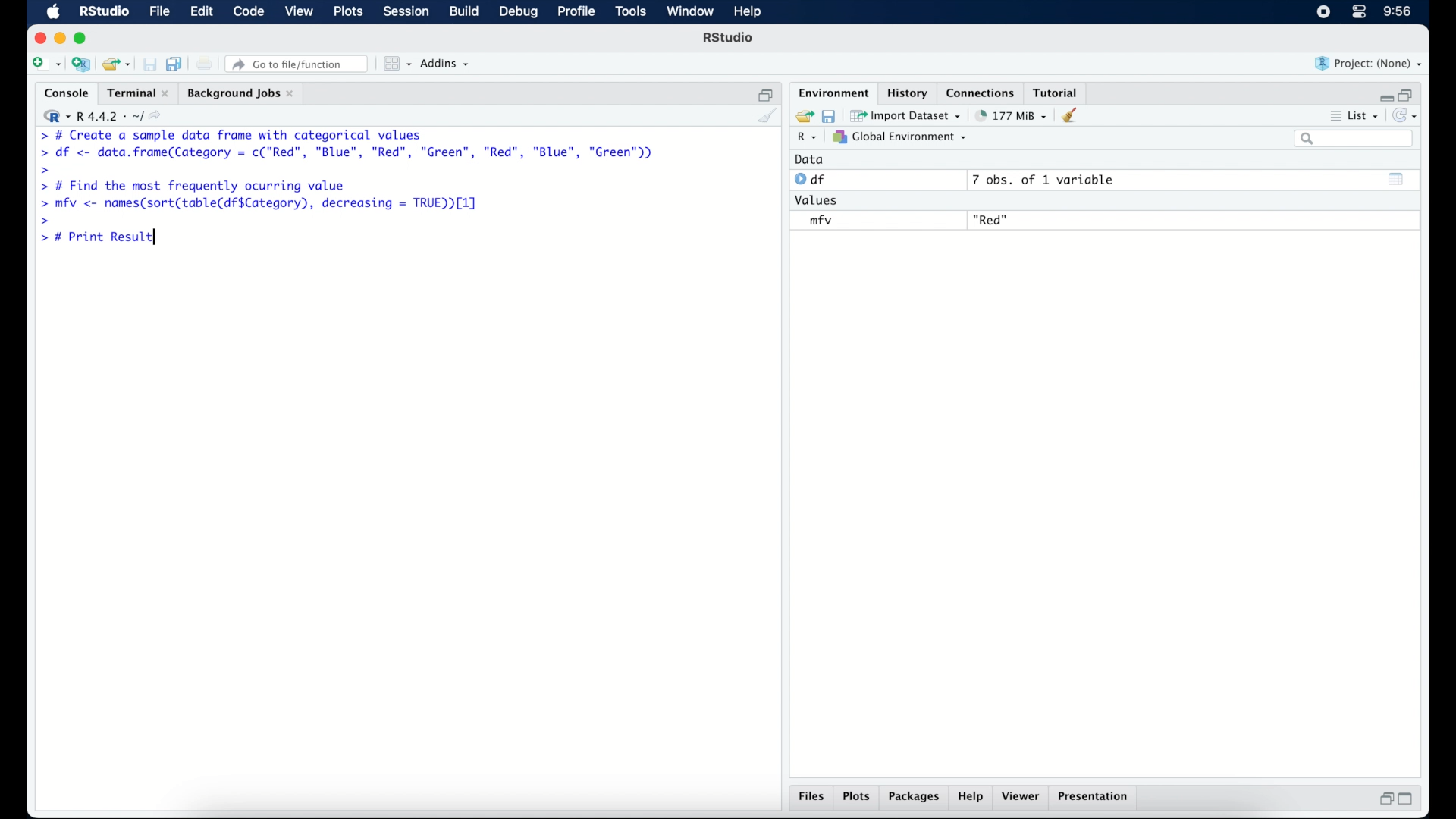  What do you see at coordinates (205, 64) in the screenshot?
I see `print` at bounding box center [205, 64].